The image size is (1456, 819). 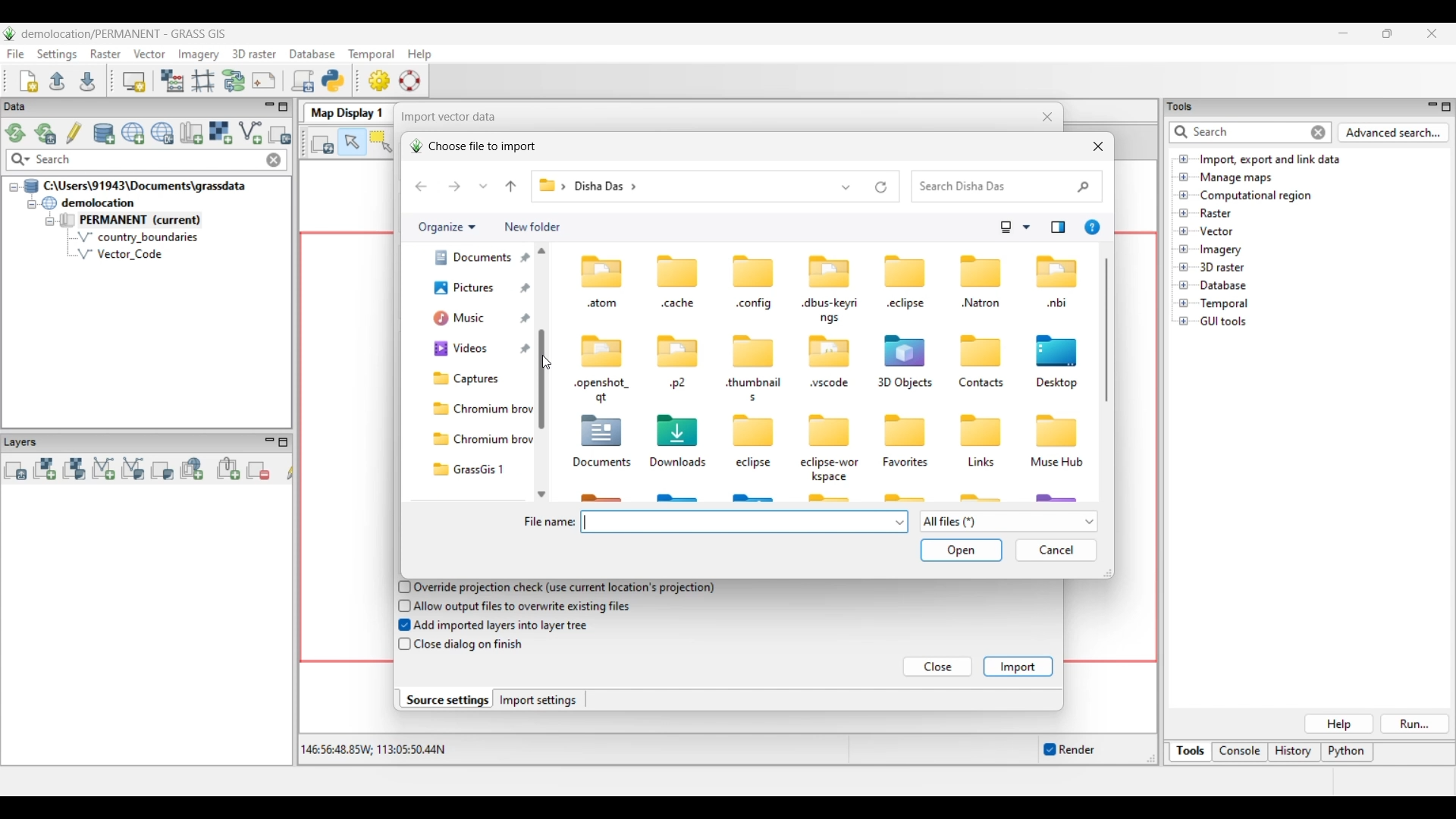 What do you see at coordinates (830, 311) in the screenshot?
I see `«dbus-keyri
ngs` at bounding box center [830, 311].